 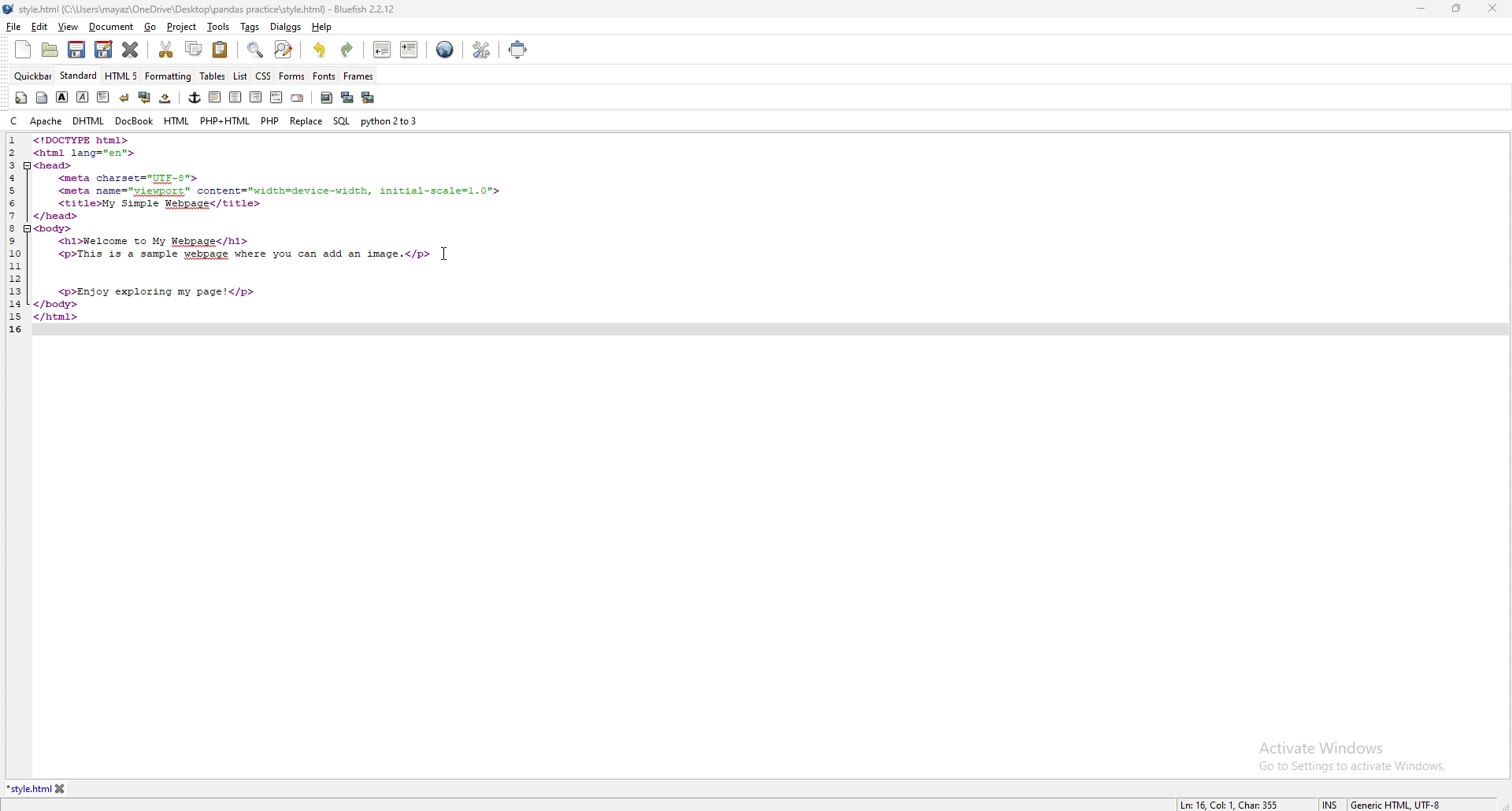 What do you see at coordinates (1456, 9) in the screenshot?
I see `resize` at bounding box center [1456, 9].